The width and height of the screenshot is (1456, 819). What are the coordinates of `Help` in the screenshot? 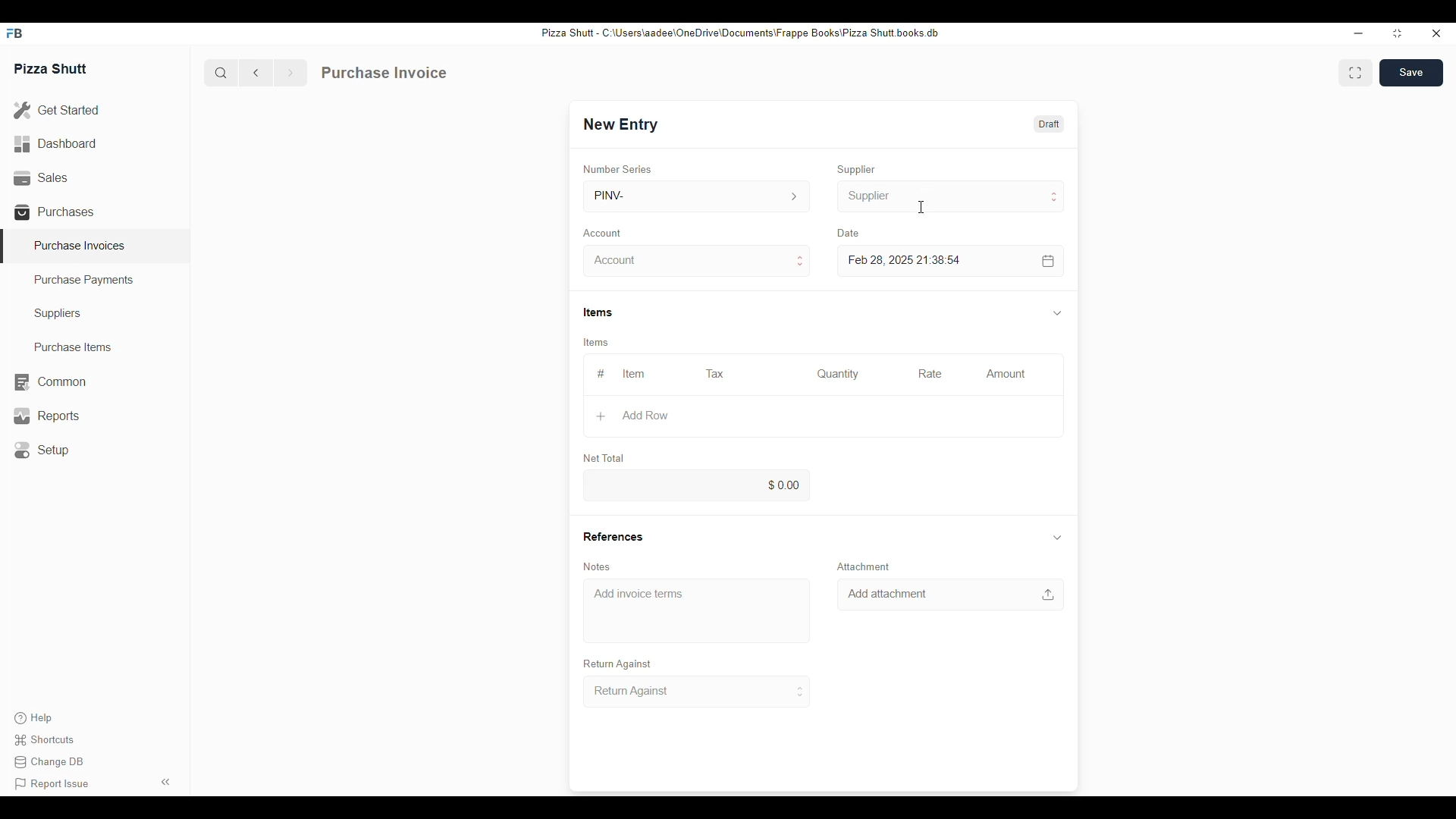 It's located at (32, 718).